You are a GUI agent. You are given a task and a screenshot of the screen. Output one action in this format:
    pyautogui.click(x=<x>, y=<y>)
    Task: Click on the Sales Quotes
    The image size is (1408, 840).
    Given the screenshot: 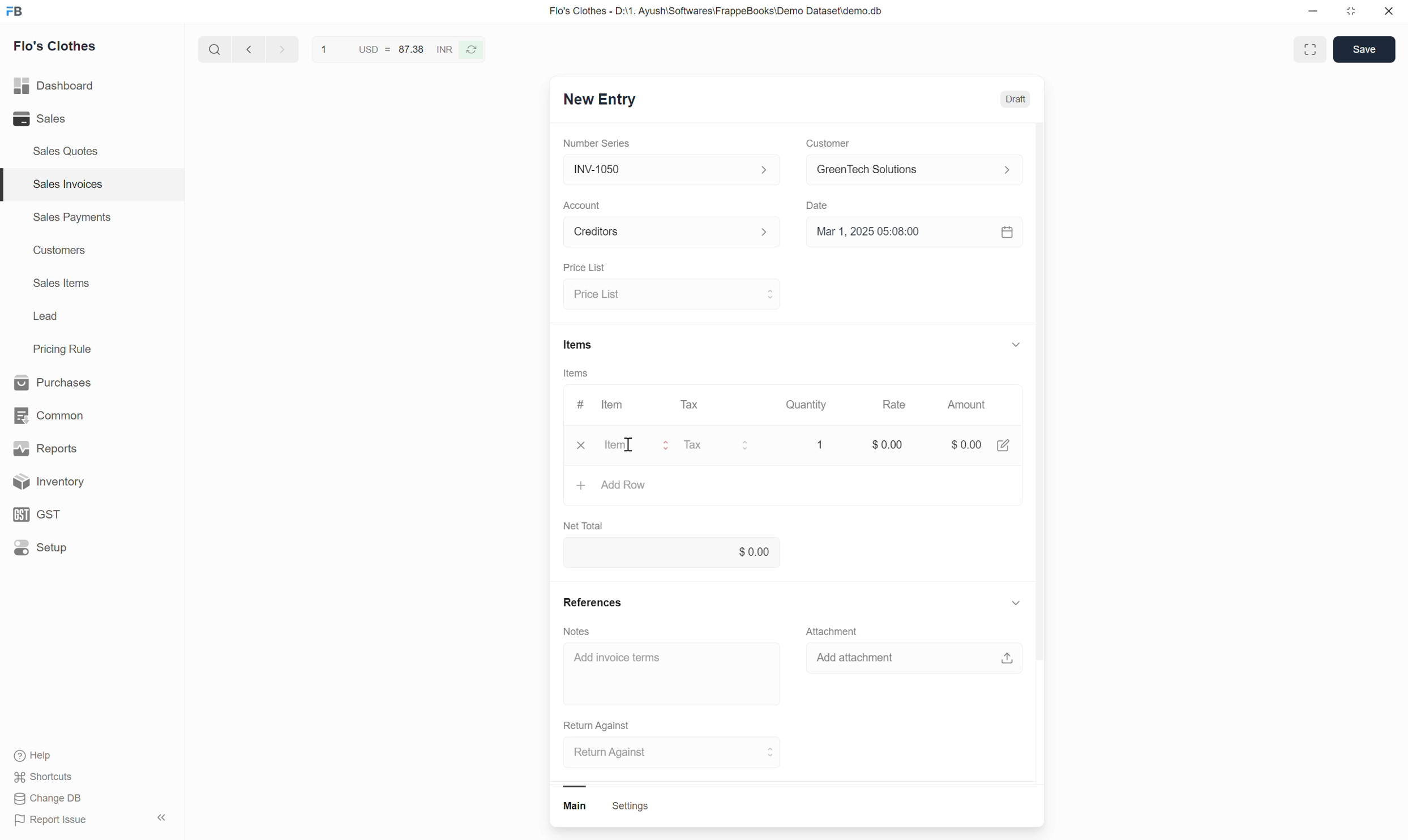 What is the action you would take?
    pyautogui.click(x=66, y=151)
    